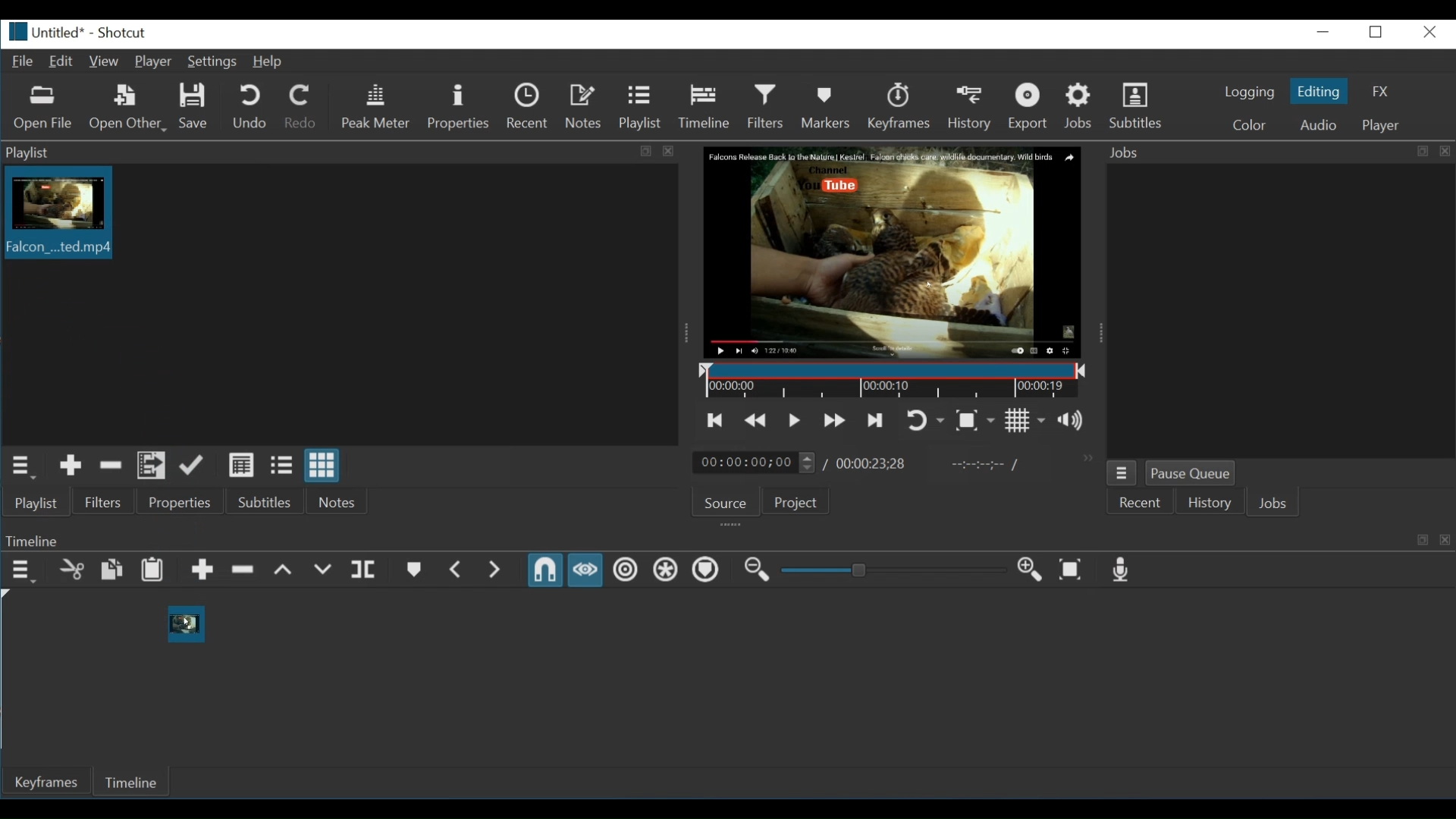 Image resolution: width=1456 pixels, height=819 pixels. I want to click on Minimize, so click(1325, 32).